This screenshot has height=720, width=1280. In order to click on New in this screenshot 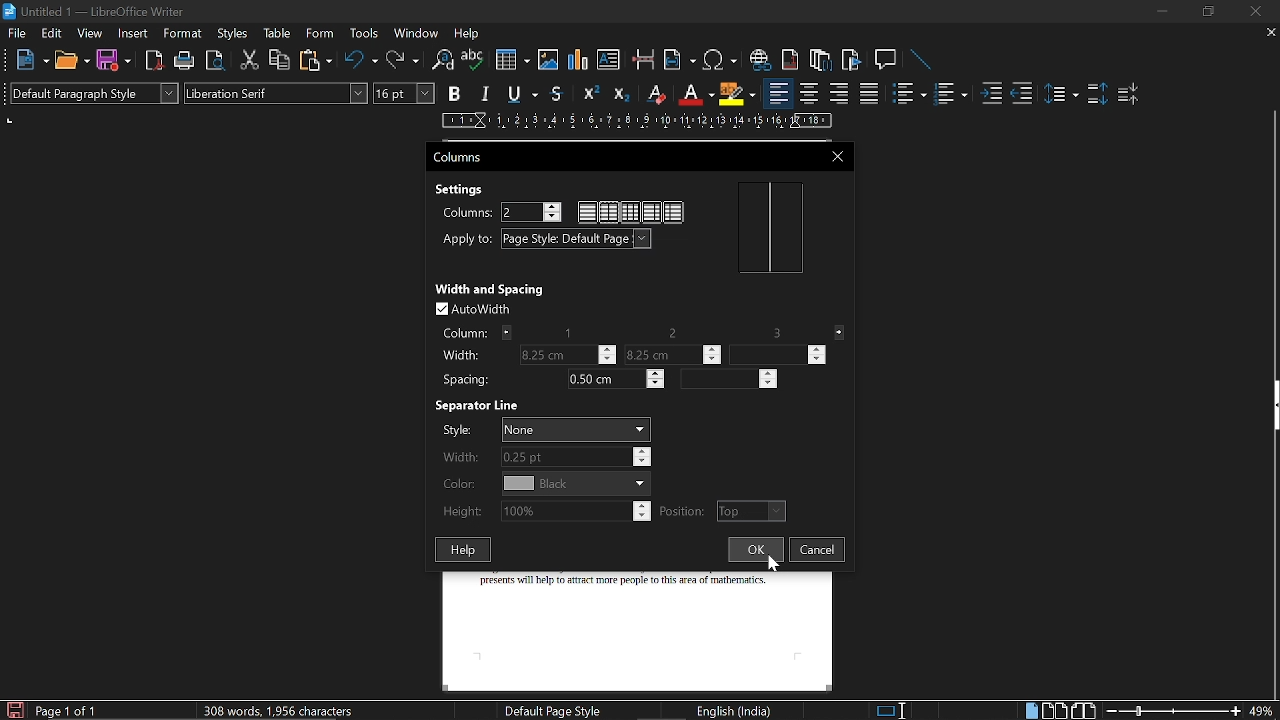, I will do `click(30, 63)`.